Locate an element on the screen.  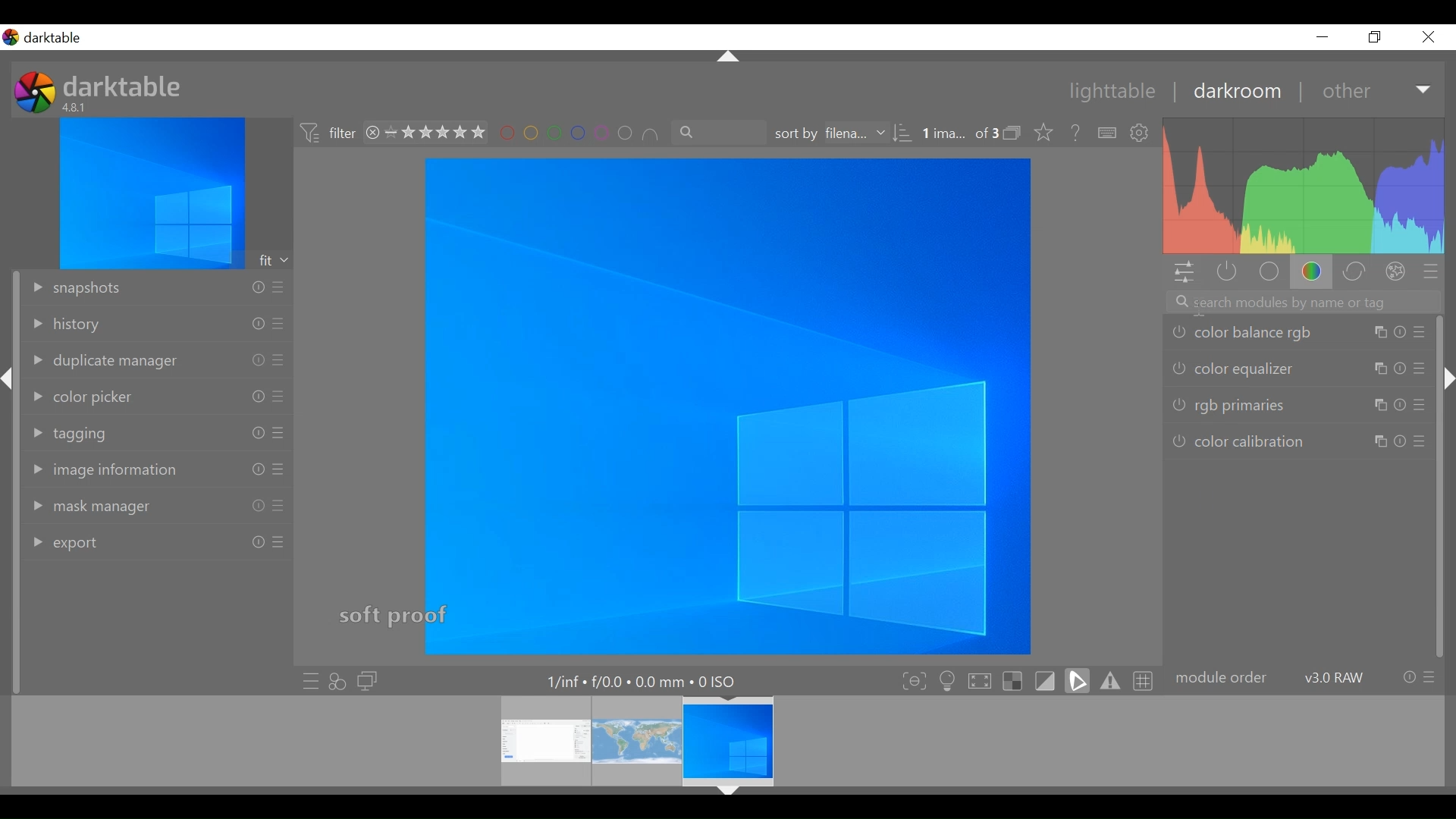
presets is located at coordinates (277, 287).